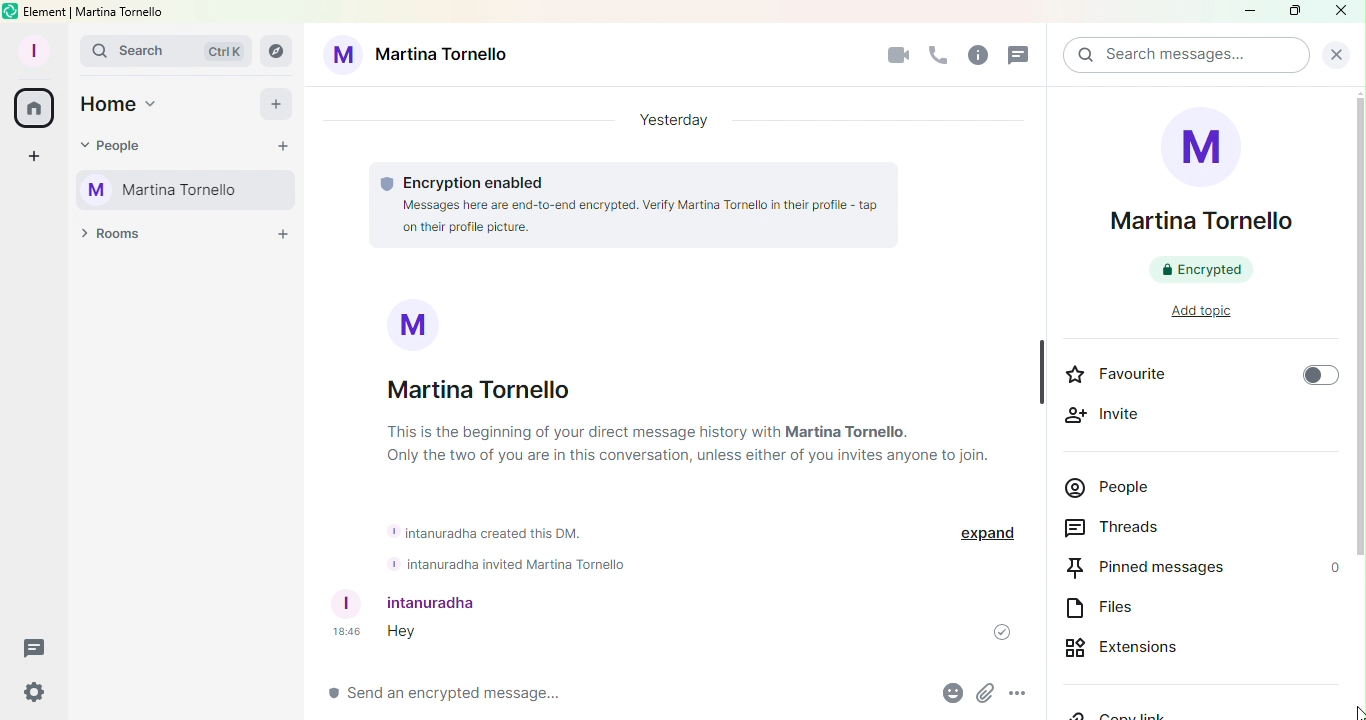 This screenshot has height=720, width=1366. Describe the element at coordinates (1145, 487) in the screenshot. I see `People` at that location.